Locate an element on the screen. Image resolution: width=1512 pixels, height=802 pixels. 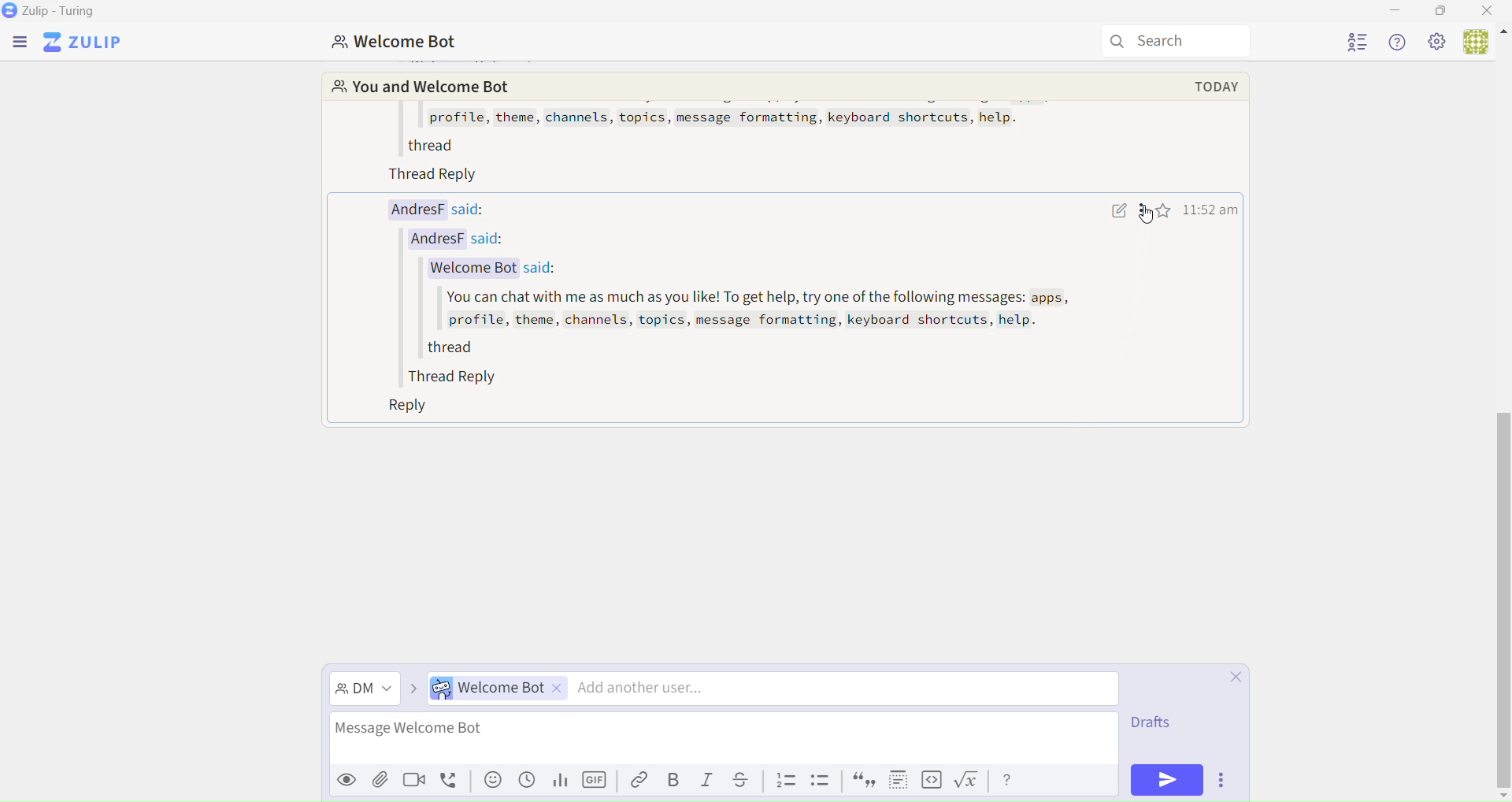
Stats is located at coordinates (559, 781).